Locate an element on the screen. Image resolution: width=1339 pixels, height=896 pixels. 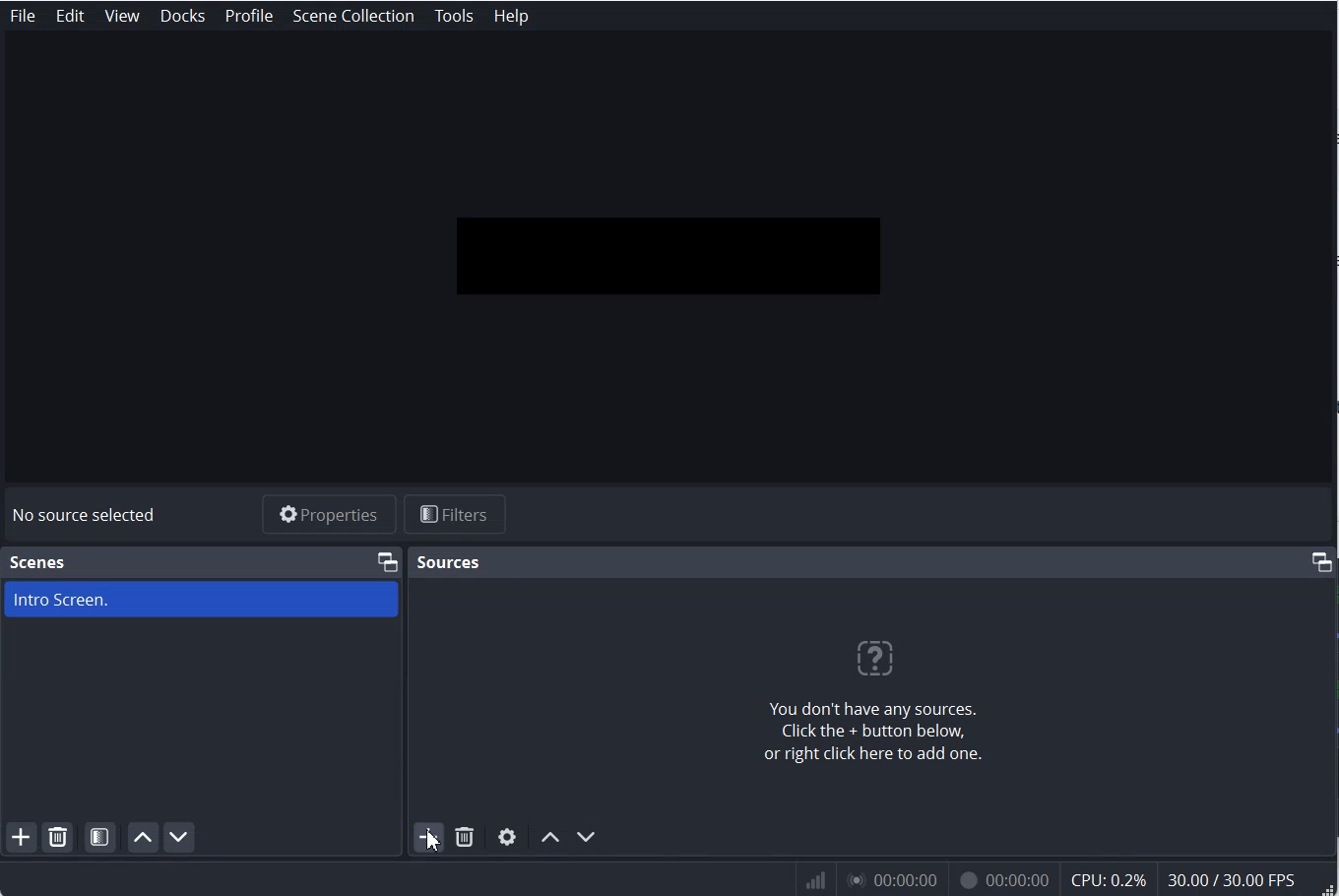
You don't have any sources. Click the button below. or right dick here to add one is located at coordinates (869, 703).